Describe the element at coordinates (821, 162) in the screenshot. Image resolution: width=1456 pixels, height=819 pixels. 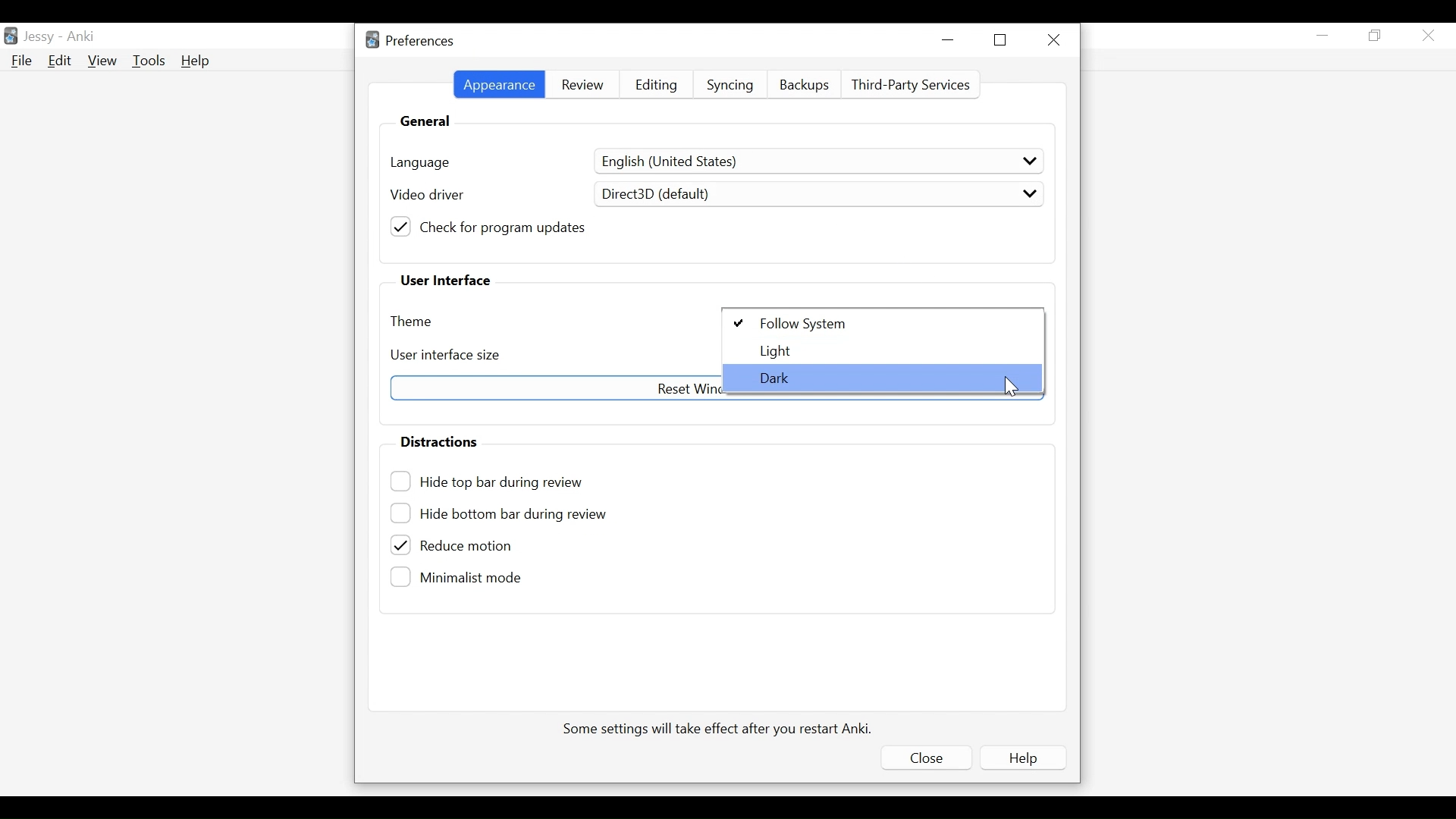
I see `English (United States)` at that location.